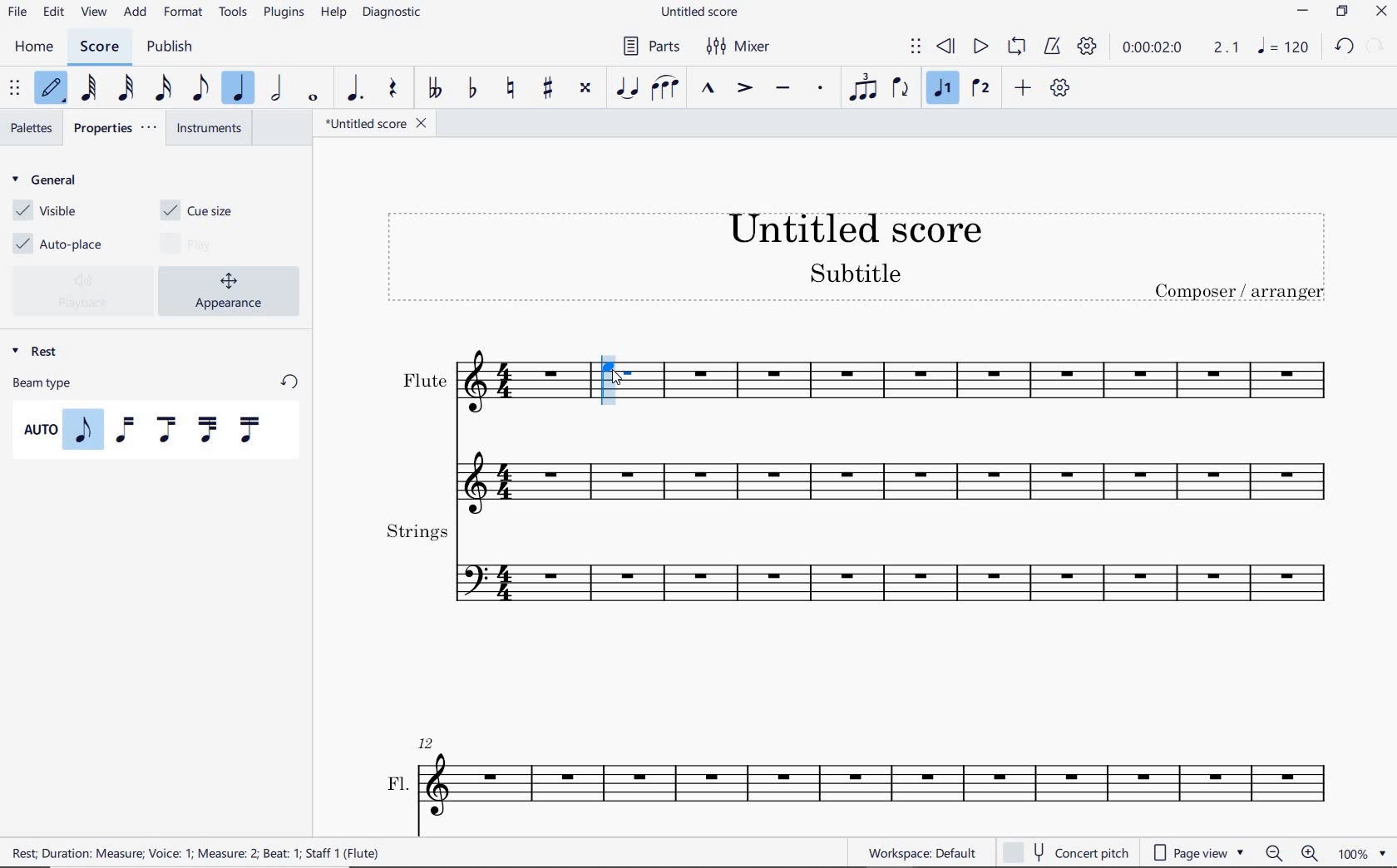 This screenshot has height=868, width=1397. What do you see at coordinates (62, 242) in the screenshot?
I see `AUTO-PLACE` at bounding box center [62, 242].